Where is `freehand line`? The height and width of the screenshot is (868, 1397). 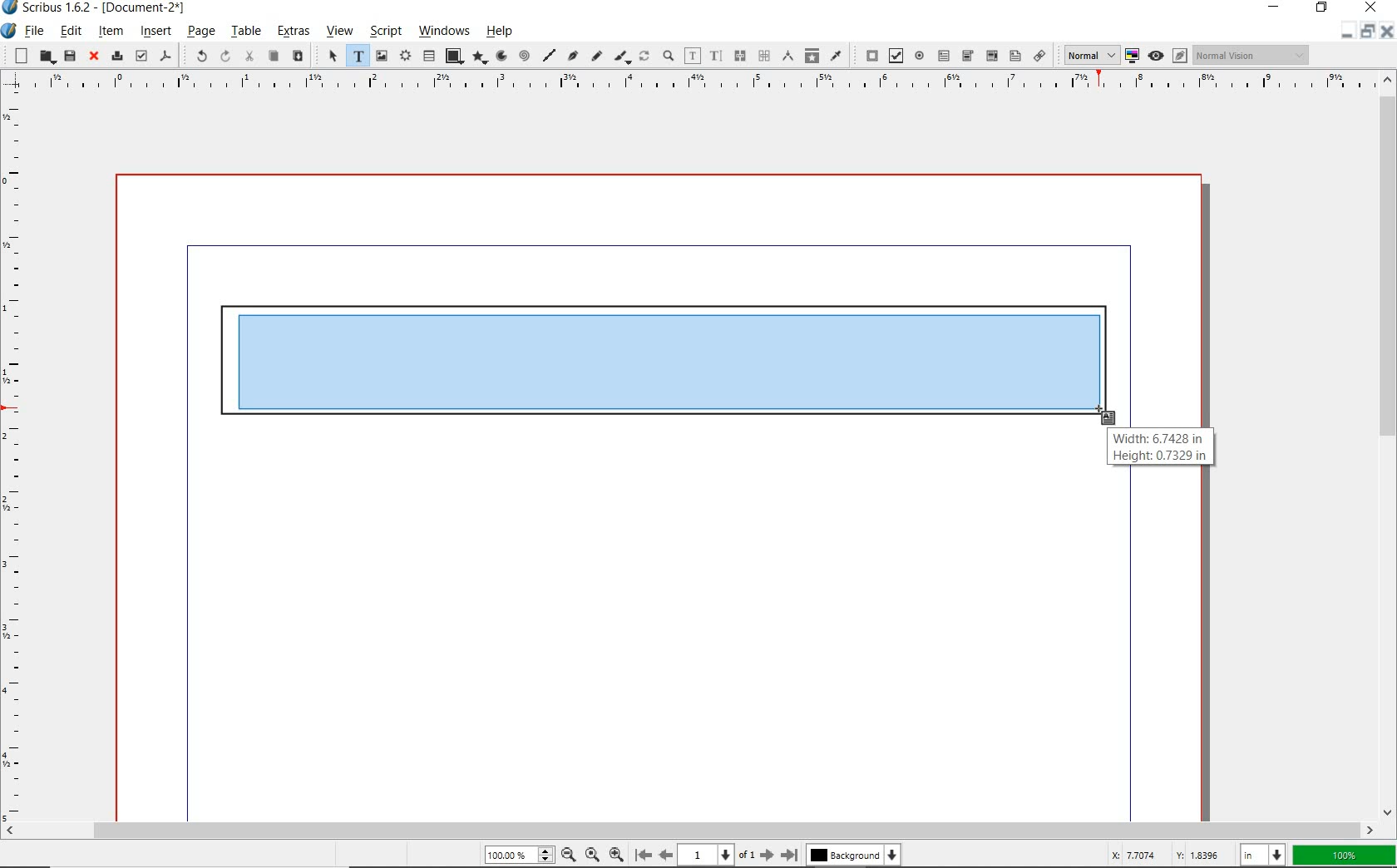
freehand line is located at coordinates (596, 57).